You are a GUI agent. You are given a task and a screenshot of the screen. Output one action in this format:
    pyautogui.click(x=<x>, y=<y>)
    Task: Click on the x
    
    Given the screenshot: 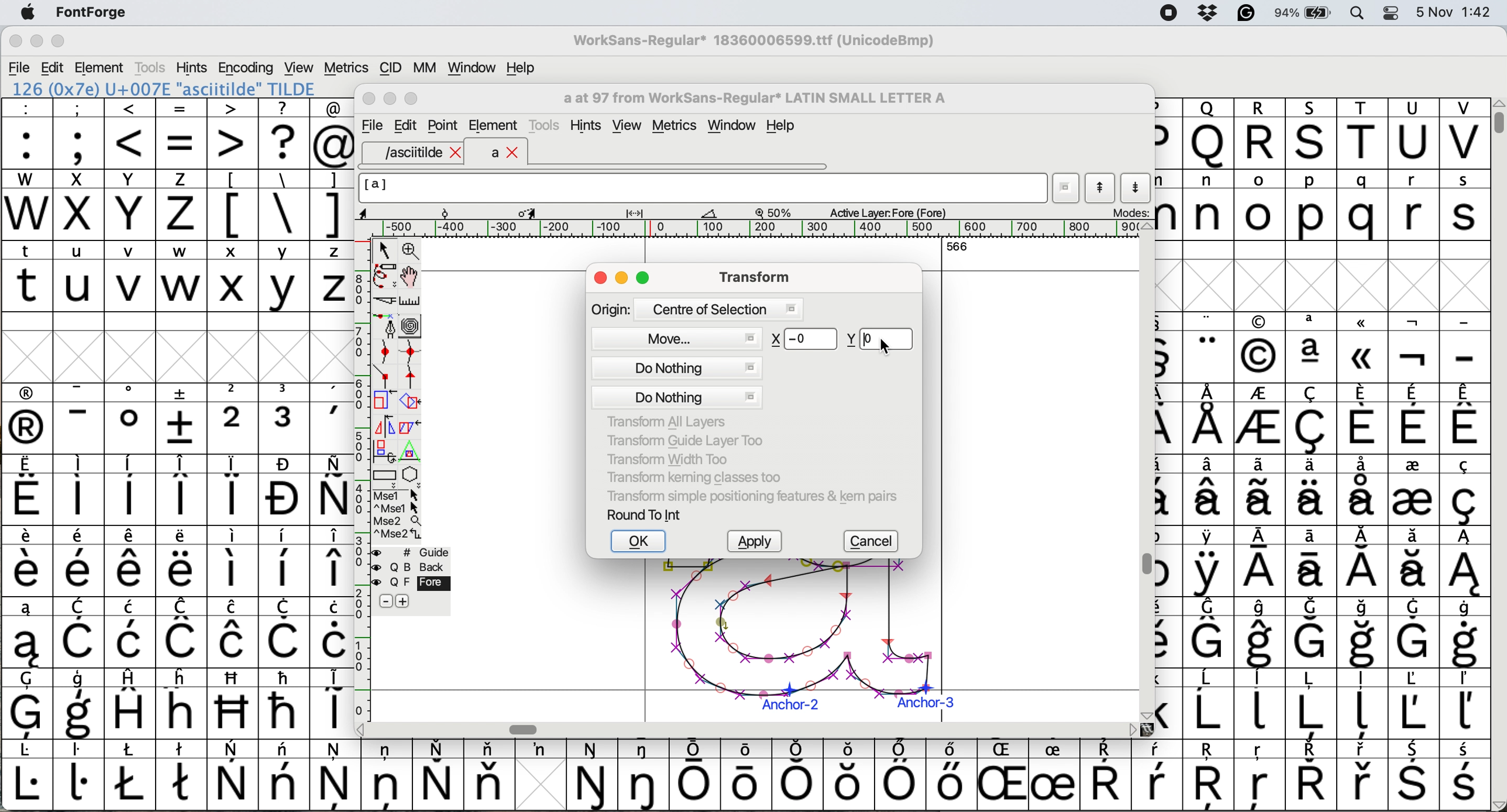 What is the action you would take?
    pyautogui.click(x=78, y=205)
    